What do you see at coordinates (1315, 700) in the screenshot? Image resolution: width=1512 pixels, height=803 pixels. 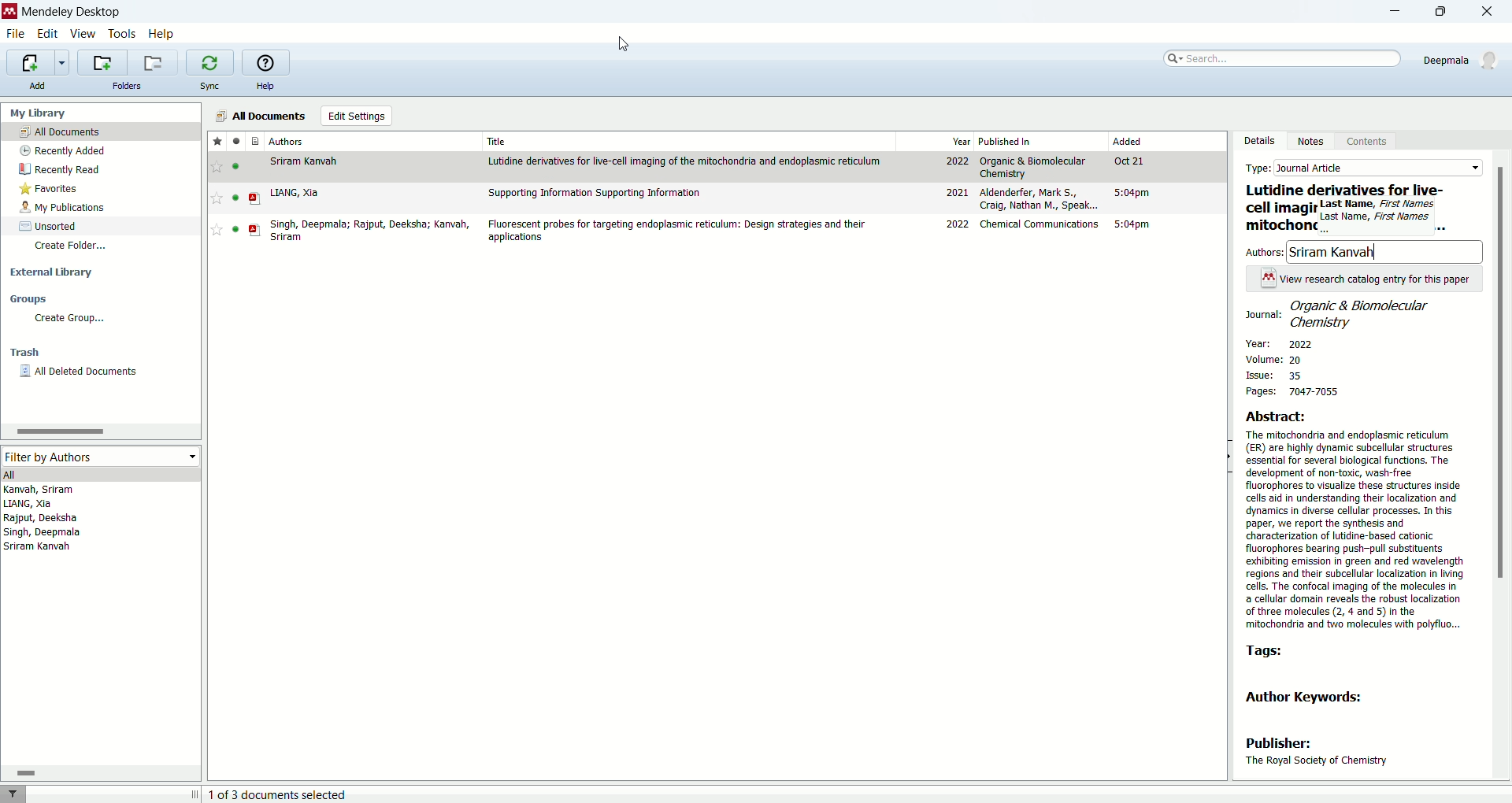 I see `author keywords` at bounding box center [1315, 700].